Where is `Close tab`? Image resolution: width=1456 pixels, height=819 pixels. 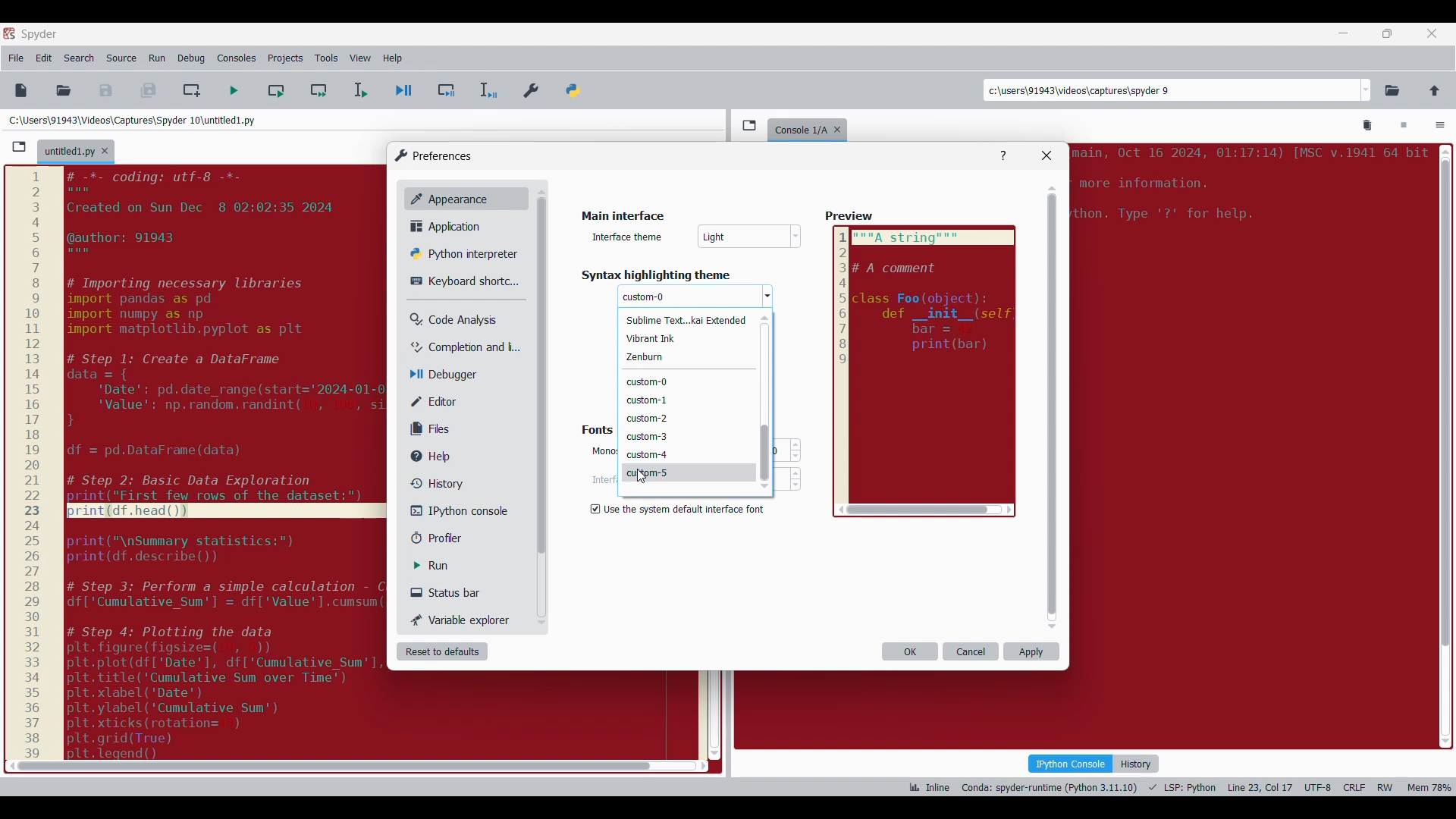 Close tab is located at coordinates (105, 151).